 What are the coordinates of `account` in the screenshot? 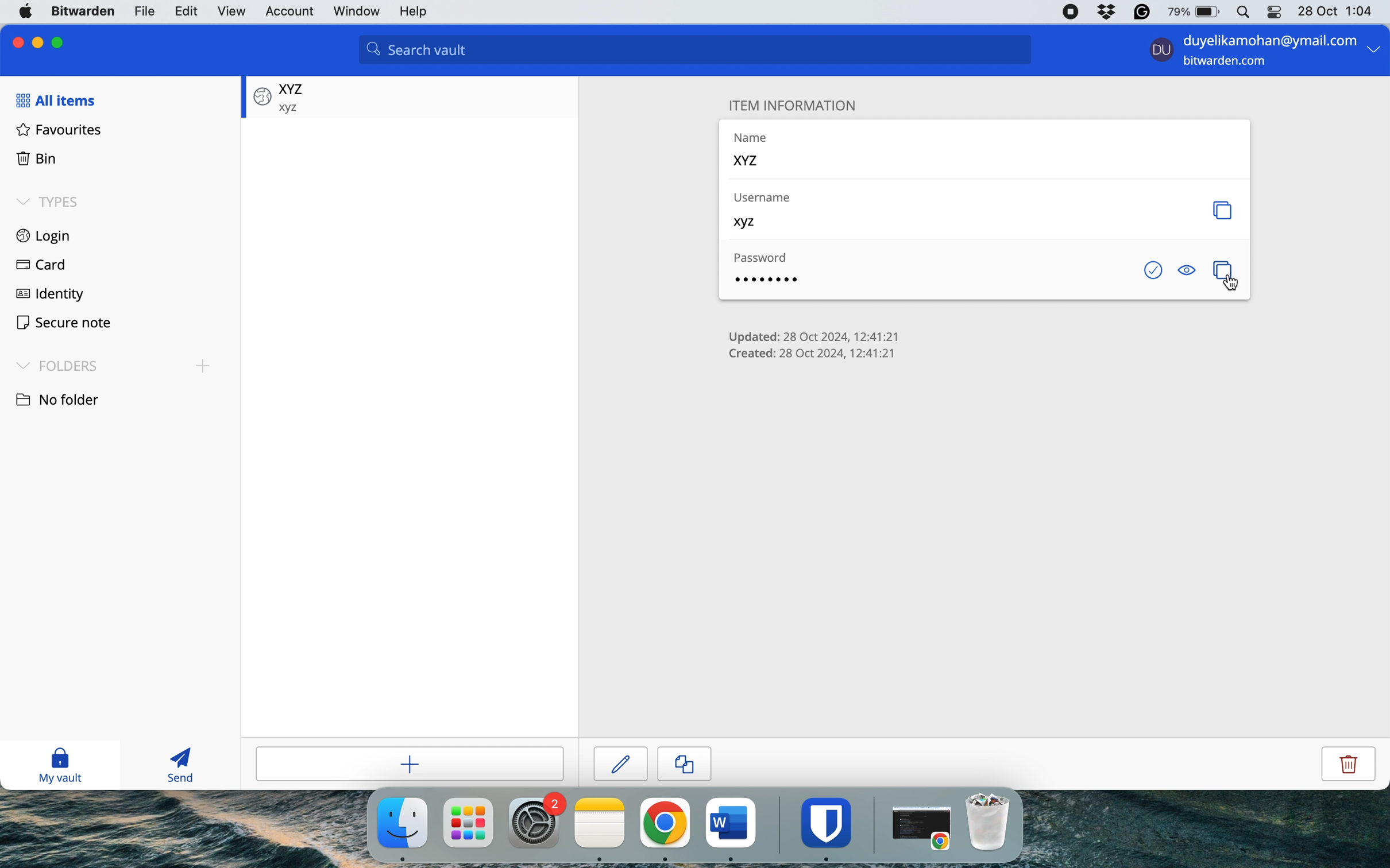 It's located at (291, 10).